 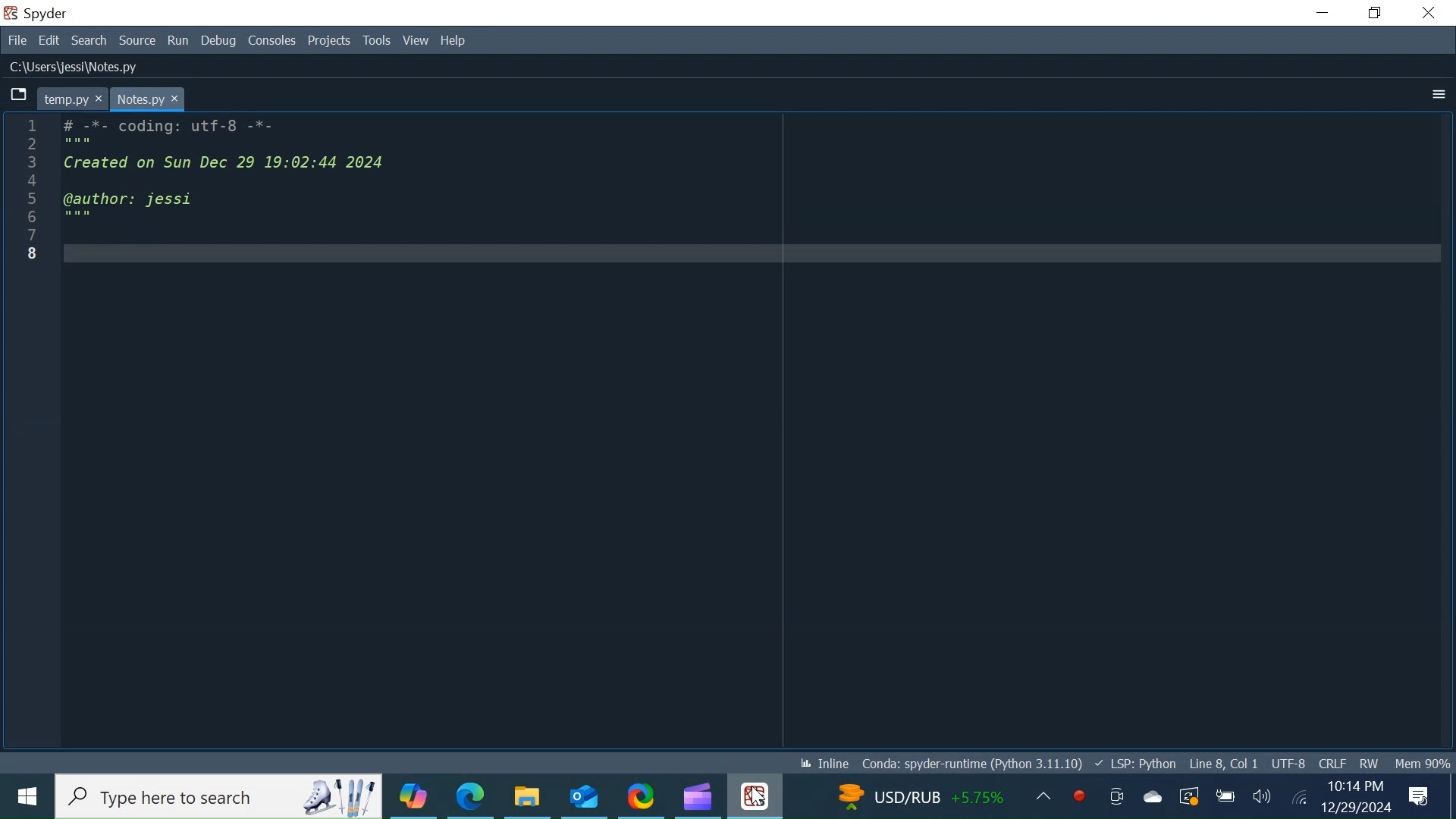 What do you see at coordinates (219, 796) in the screenshot?
I see `Search` at bounding box center [219, 796].